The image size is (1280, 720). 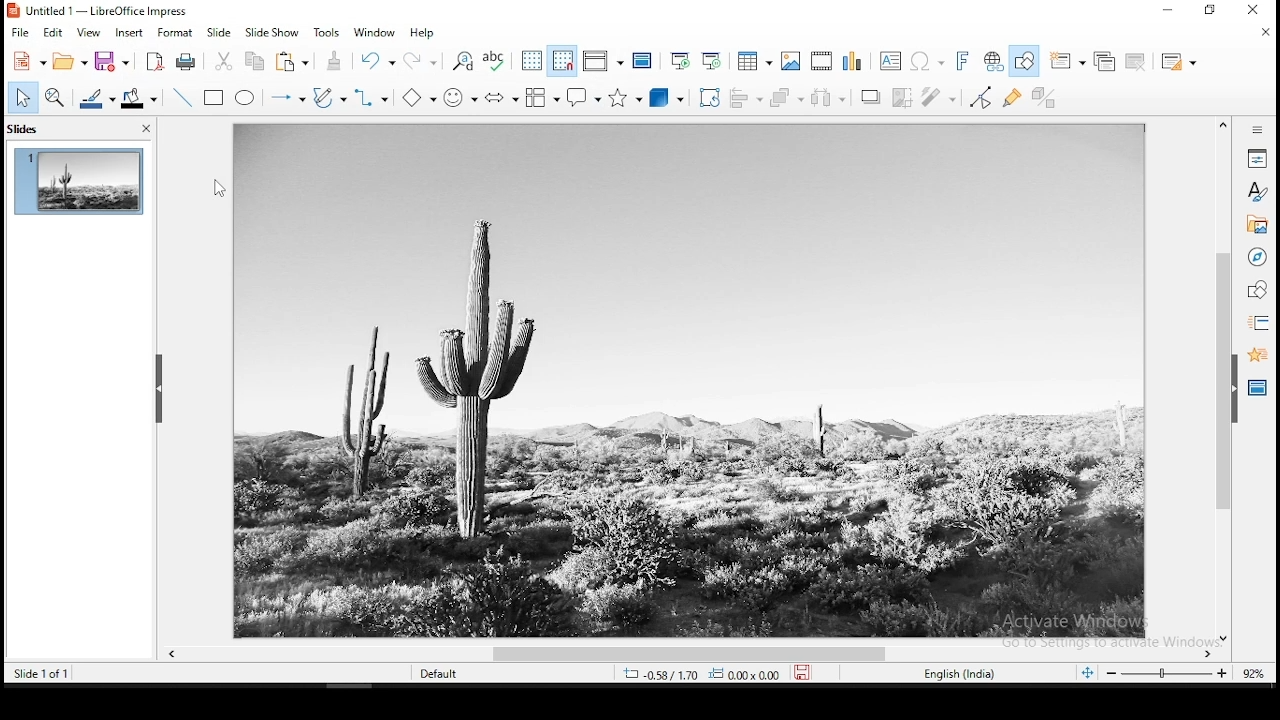 What do you see at coordinates (542, 97) in the screenshot?
I see `flowchart` at bounding box center [542, 97].